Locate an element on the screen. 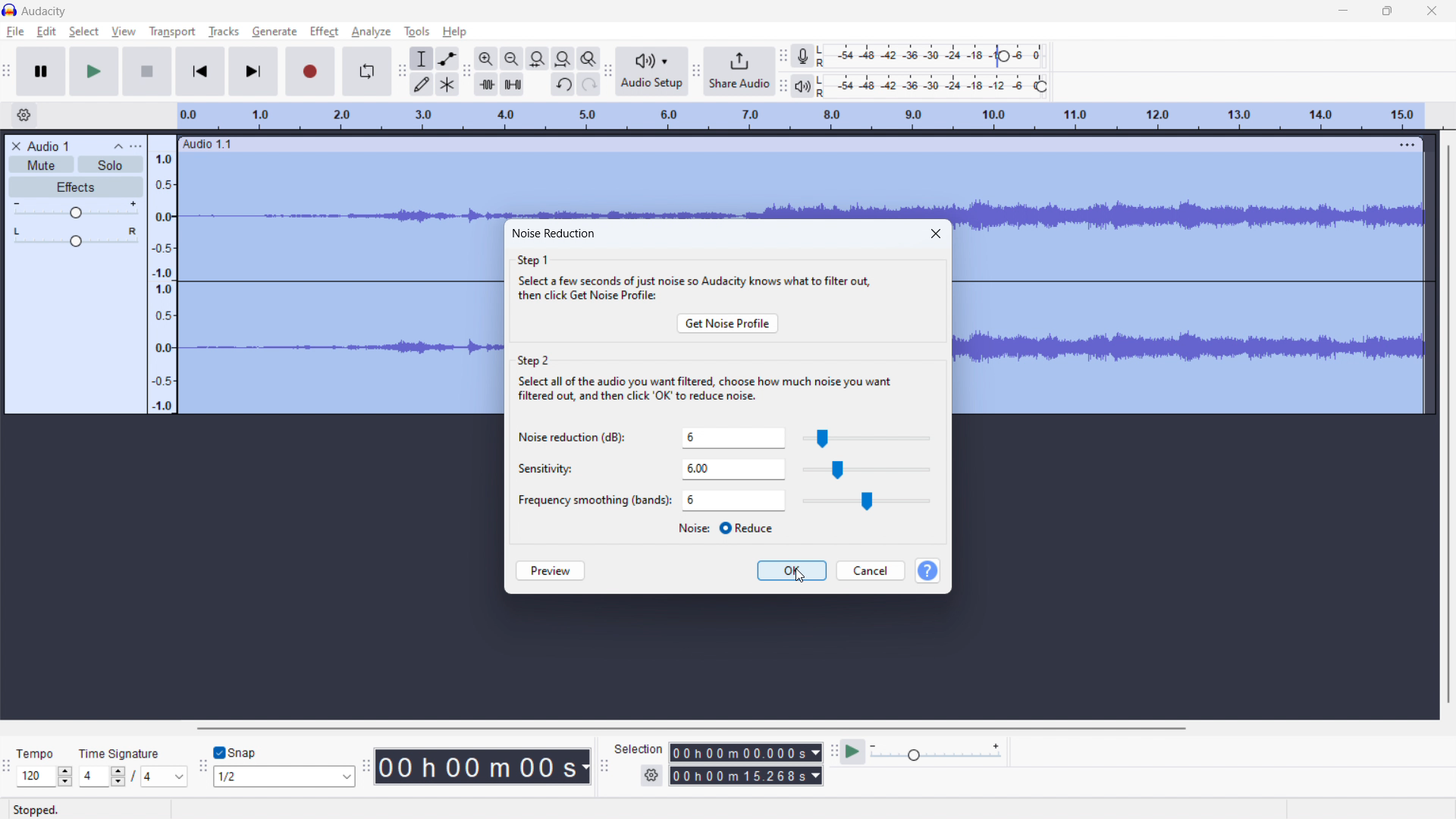  playback meter is located at coordinates (937, 752).